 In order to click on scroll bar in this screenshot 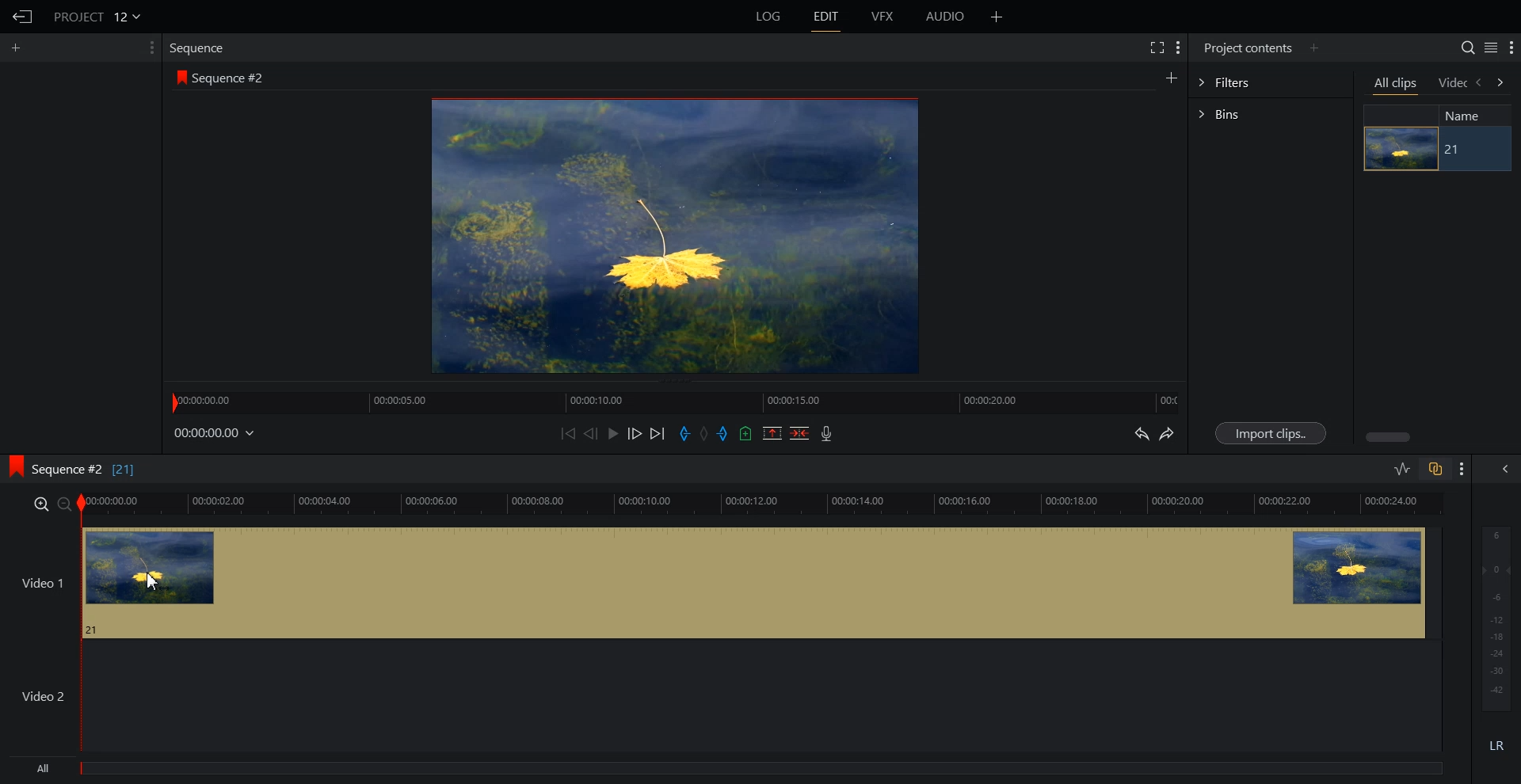, I will do `click(1389, 436)`.